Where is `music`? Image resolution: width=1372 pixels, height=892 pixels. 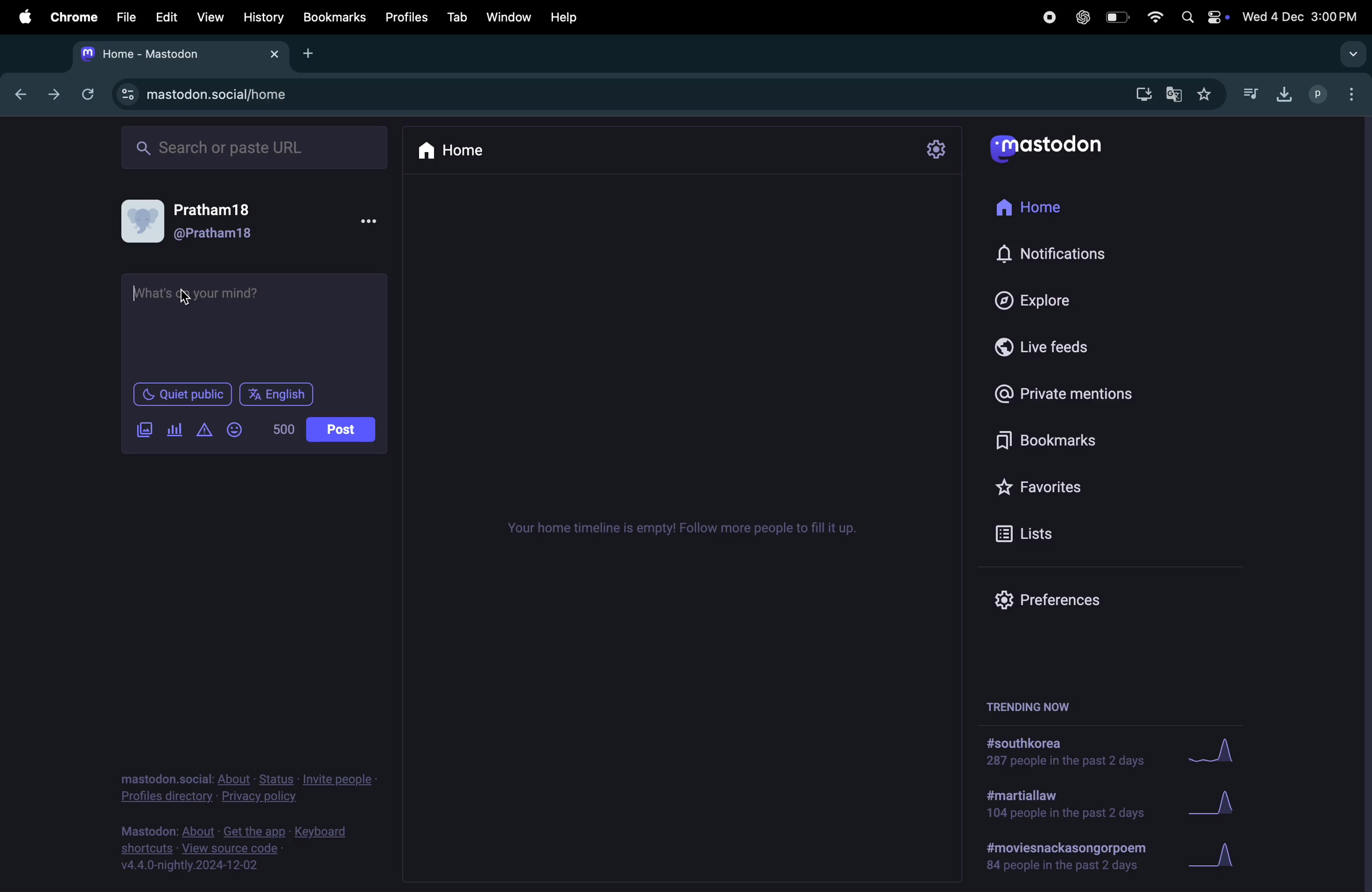 music is located at coordinates (1249, 90).